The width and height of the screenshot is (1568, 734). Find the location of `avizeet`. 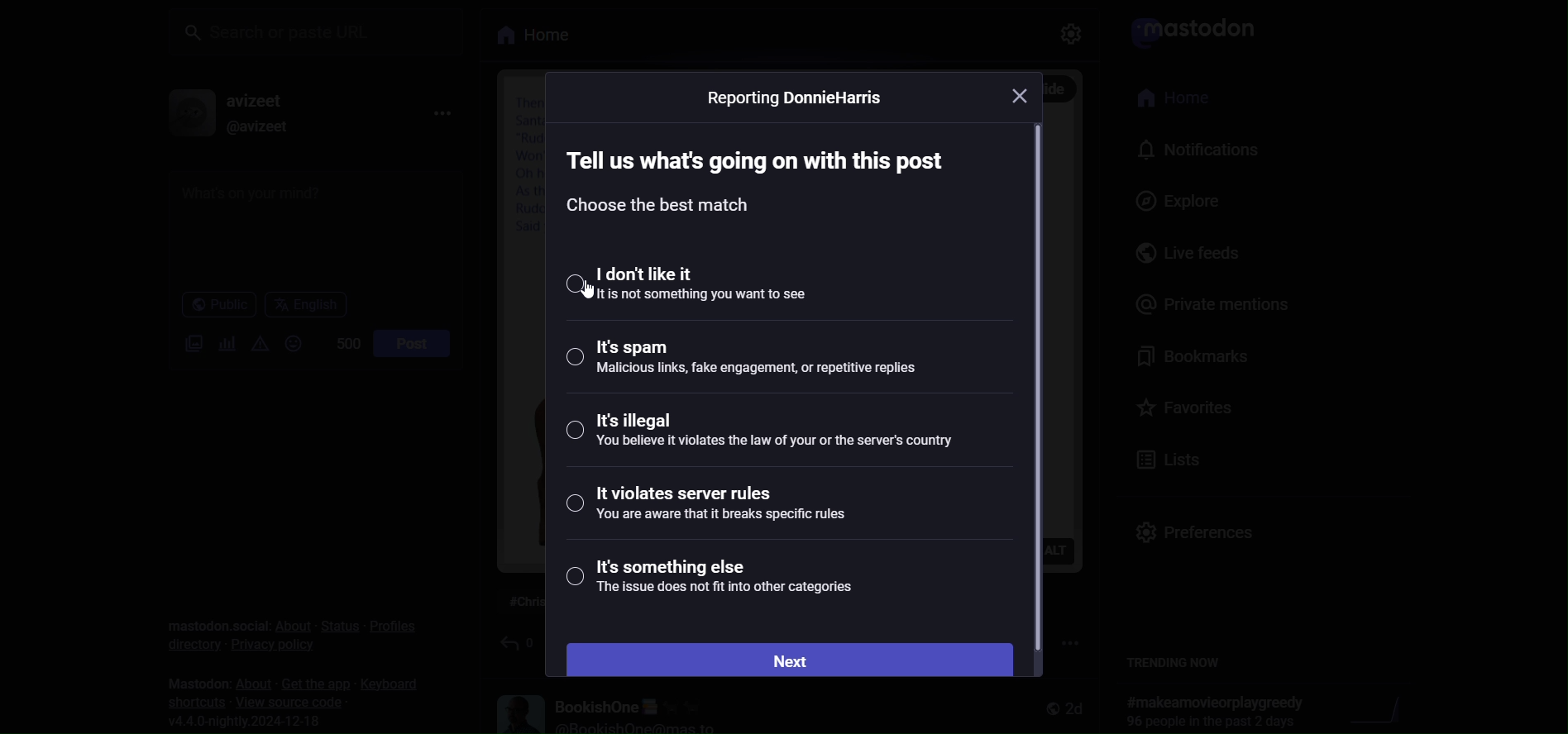

avizeet is located at coordinates (256, 99).